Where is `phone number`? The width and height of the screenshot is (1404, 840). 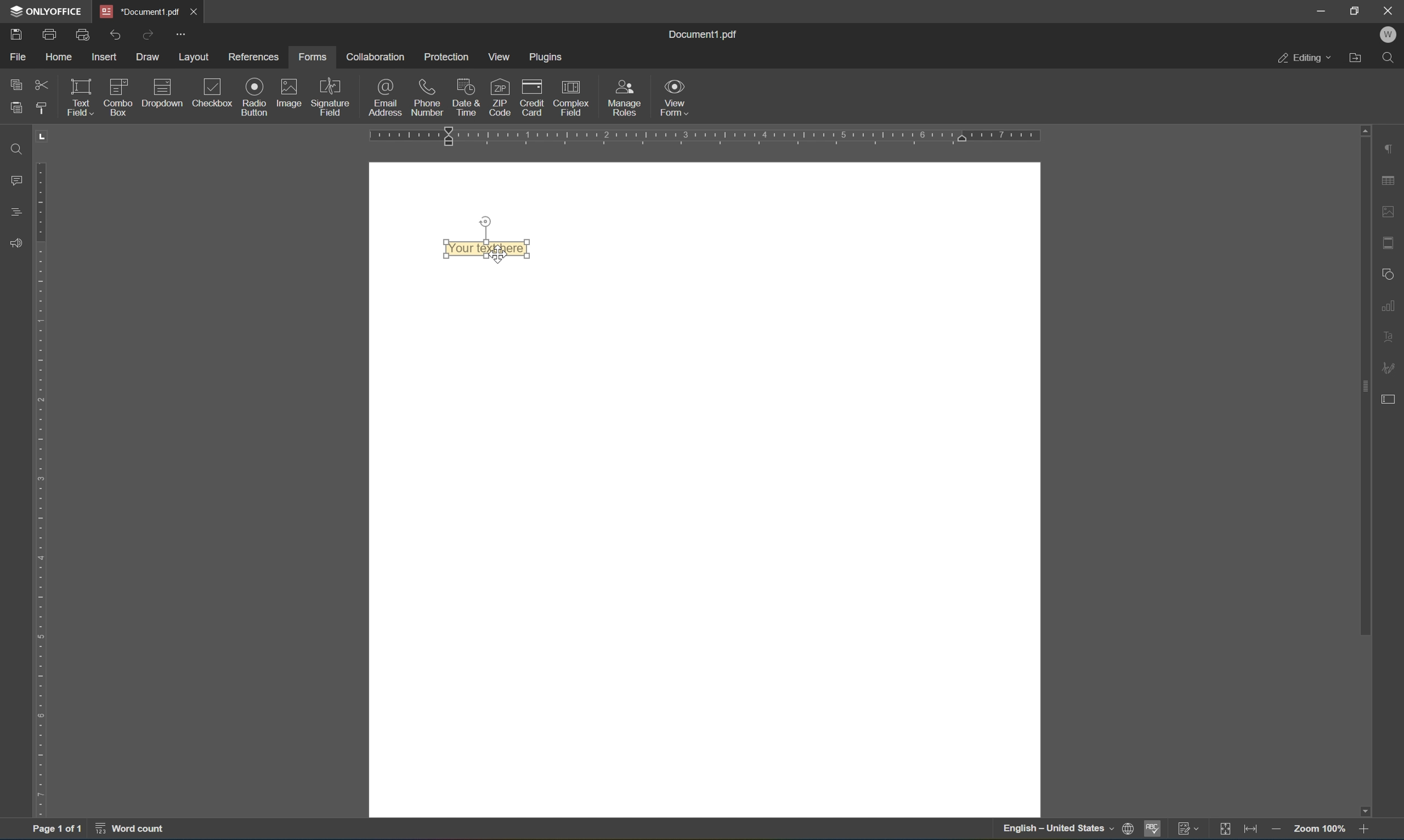
phone number is located at coordinates (426, 96).